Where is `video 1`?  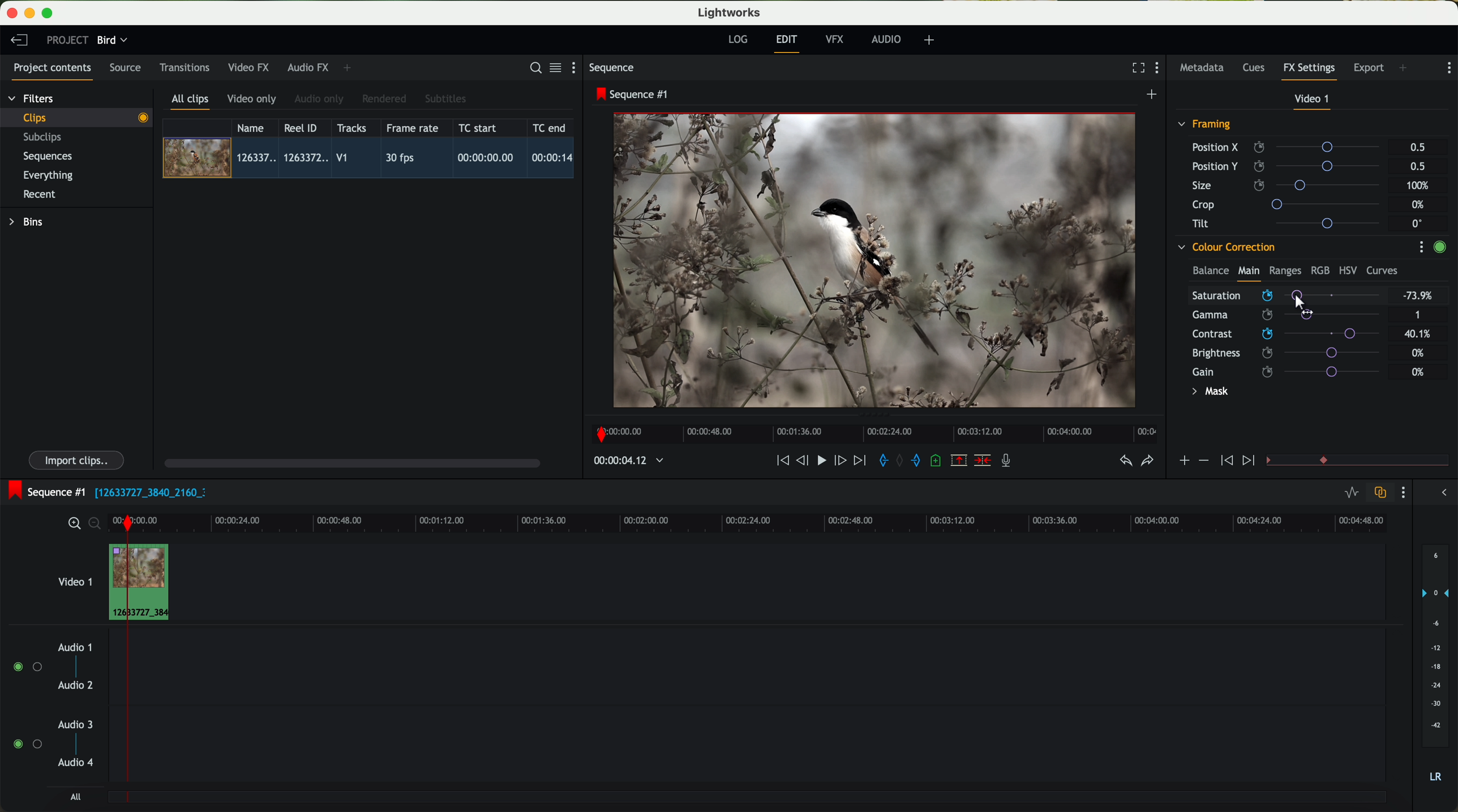 video 1 is located at coordinates (74, 579).